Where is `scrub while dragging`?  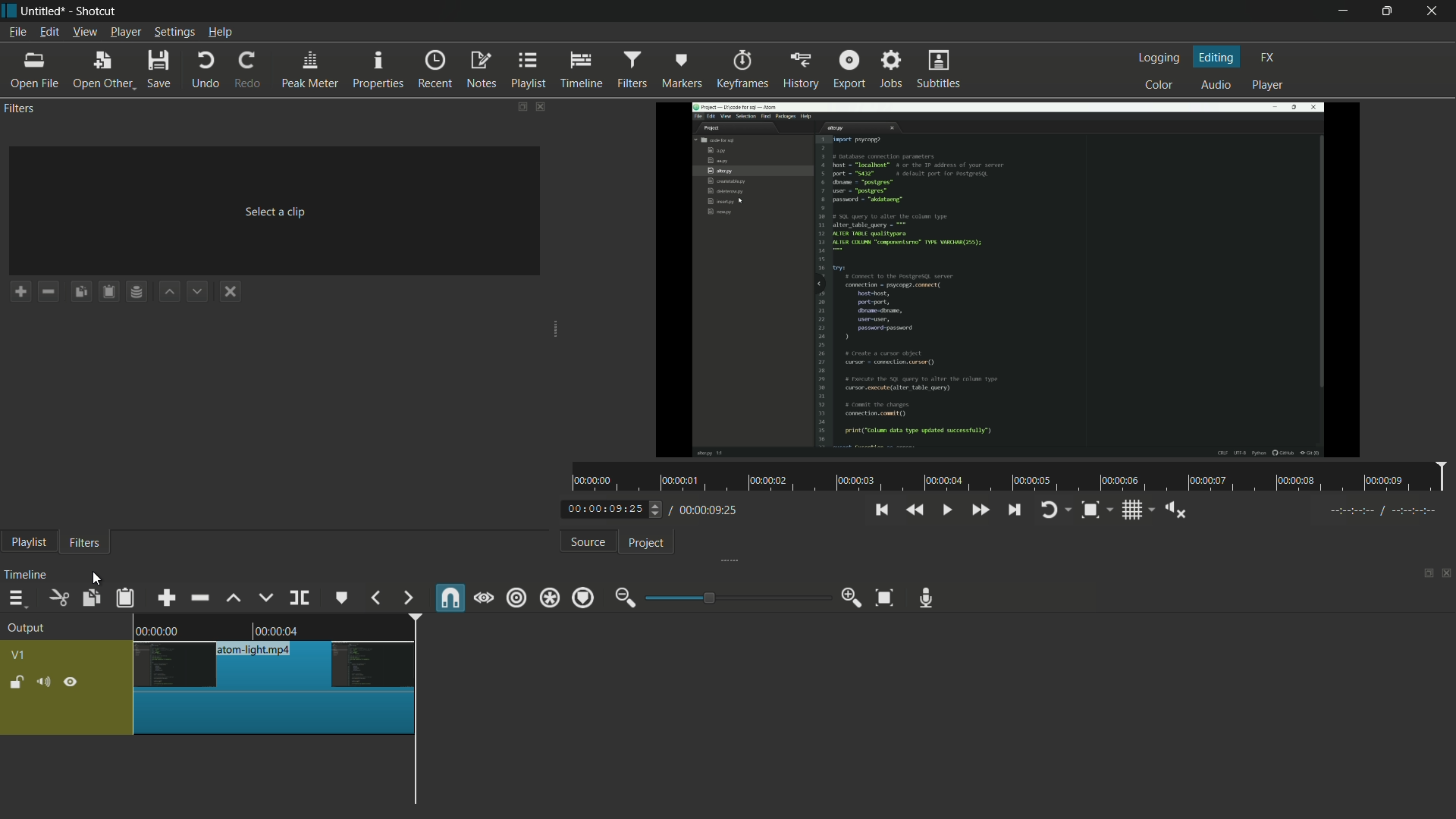 scrub while dragging is located at coordinates (484, 598).